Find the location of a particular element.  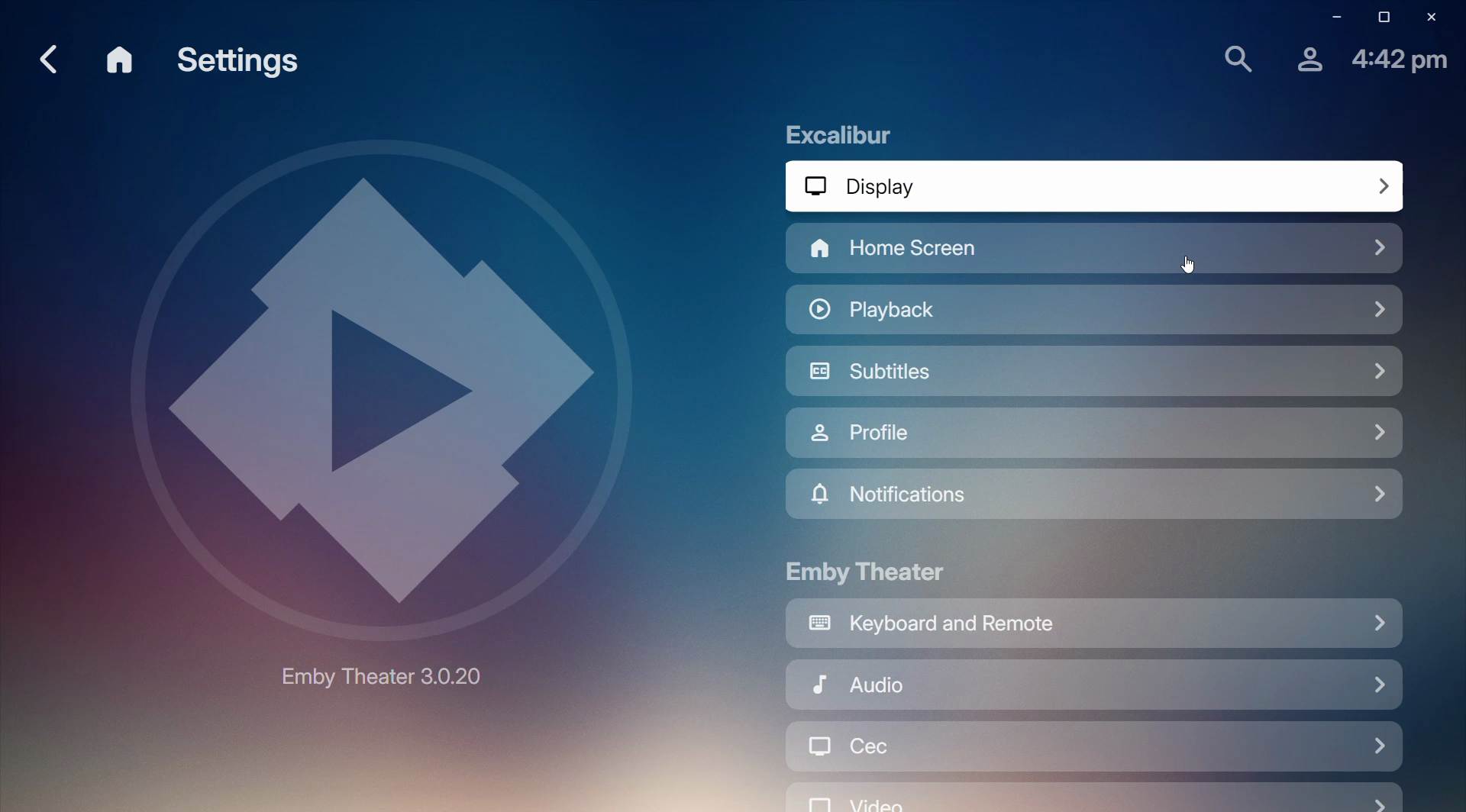

Settings is located at coordinates (244, 58).